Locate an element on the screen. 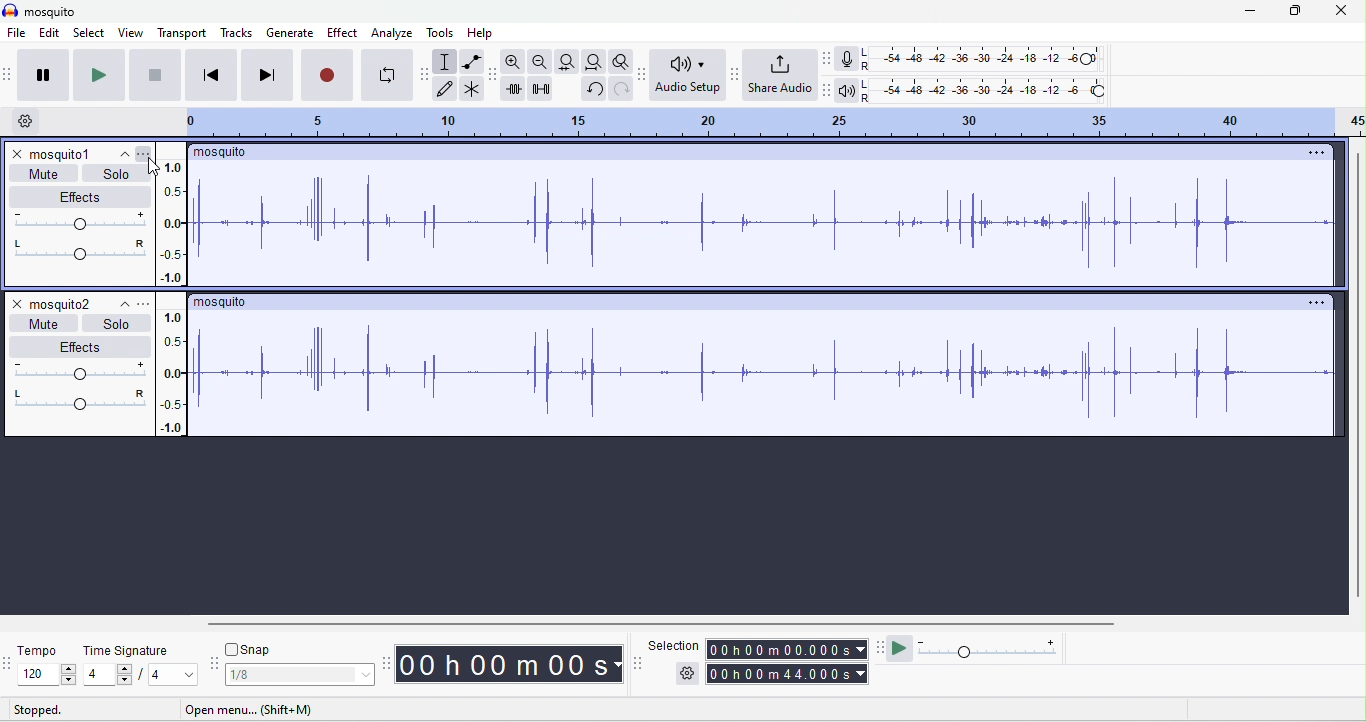  fit to project width is located at coordinates (593, 62).